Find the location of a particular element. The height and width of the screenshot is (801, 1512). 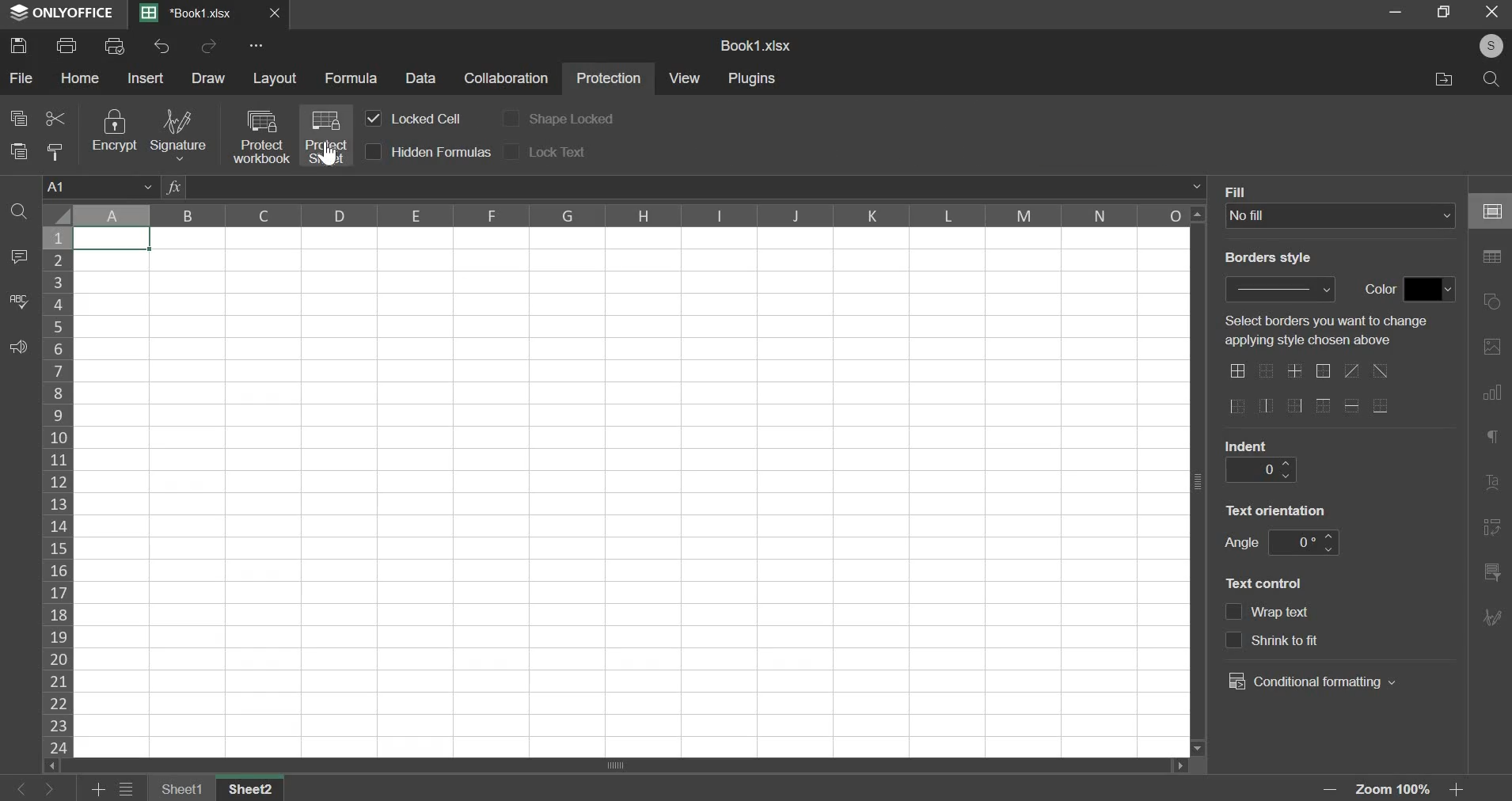

conditional formatting is located at coordinates (1311, 681).